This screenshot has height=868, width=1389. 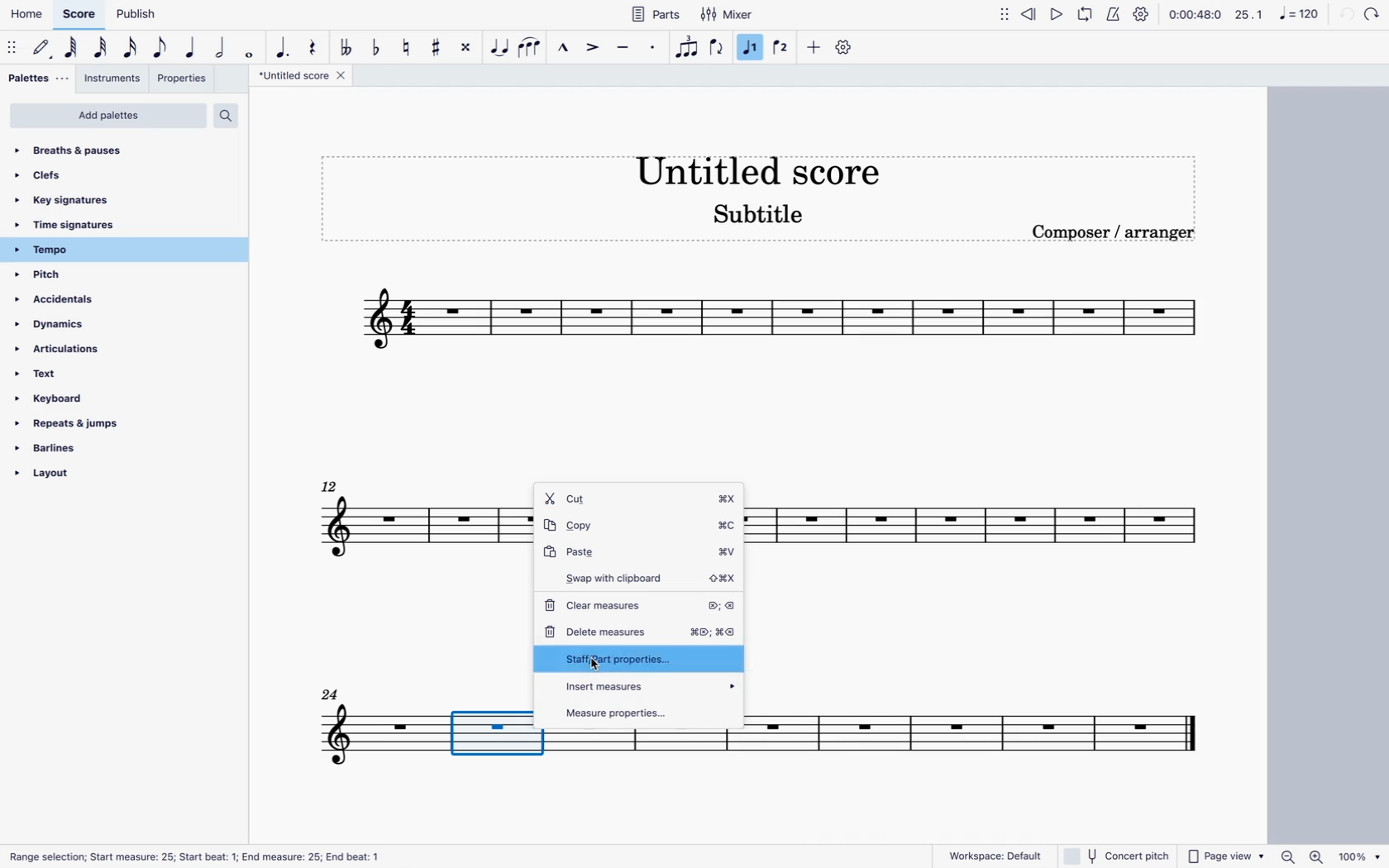 I want to click on tenuto, so click(x=623, y=50).